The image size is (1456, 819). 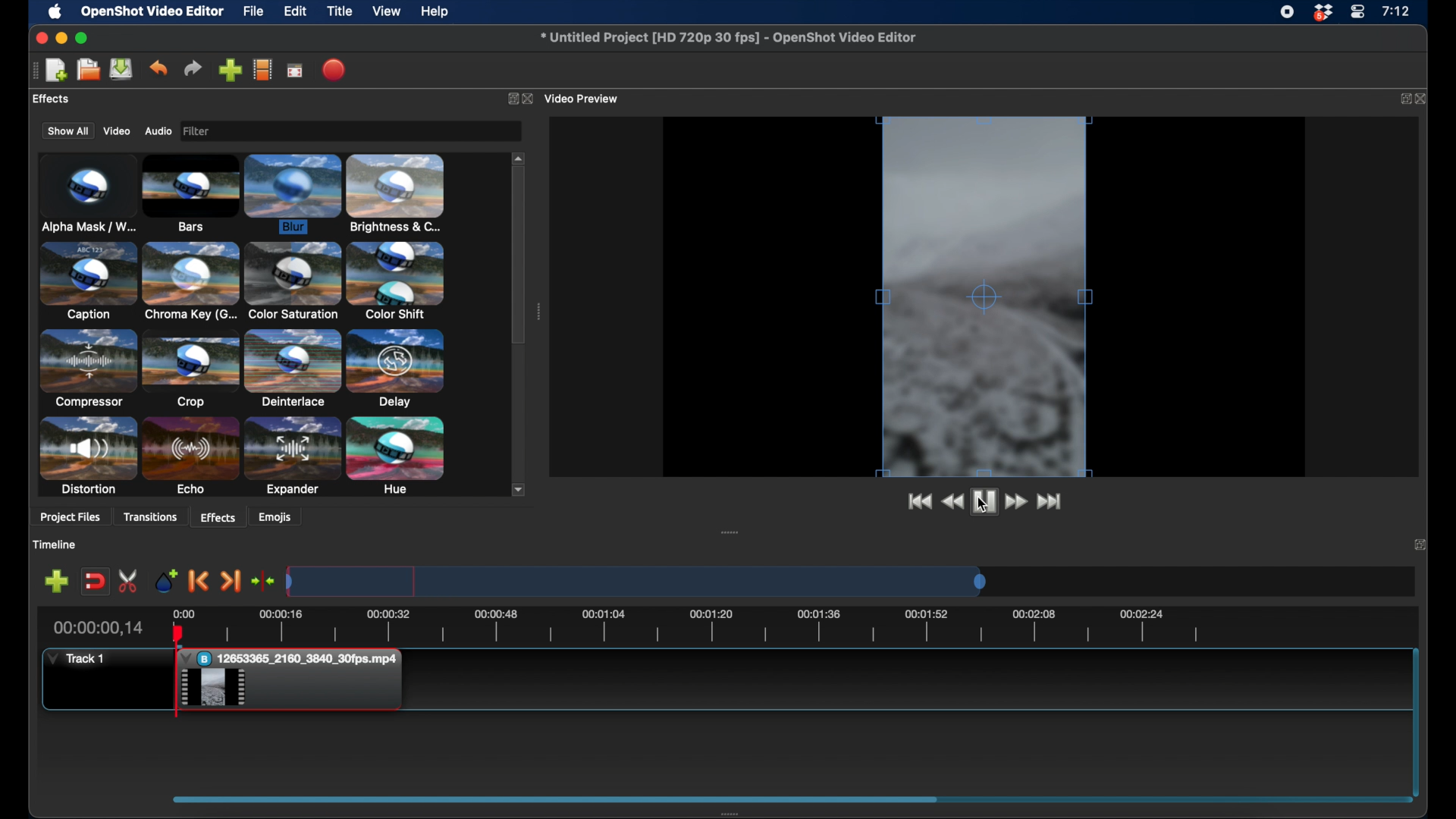 I want to click on deinterlace, so click(x=293, y=368).